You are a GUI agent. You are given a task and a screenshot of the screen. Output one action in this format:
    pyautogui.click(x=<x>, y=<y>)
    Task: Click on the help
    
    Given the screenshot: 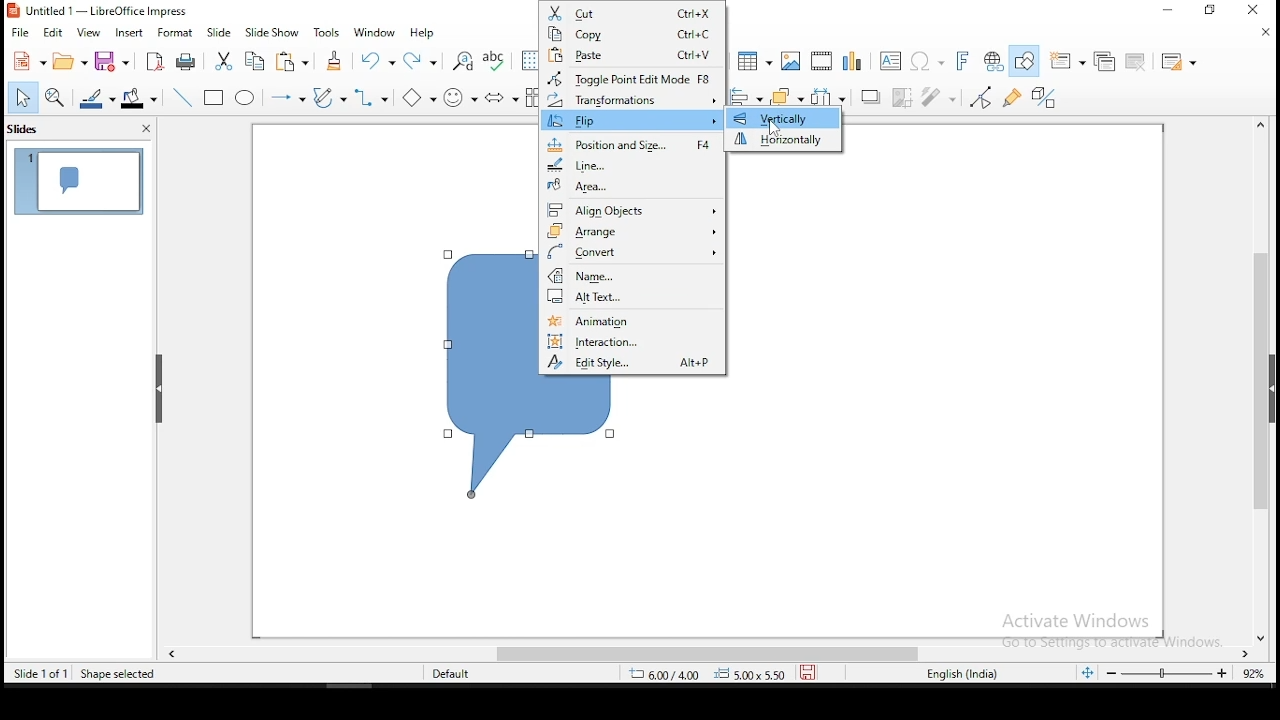 What is the action you would take?
    pyautogui.click(x=423, y=34)
    